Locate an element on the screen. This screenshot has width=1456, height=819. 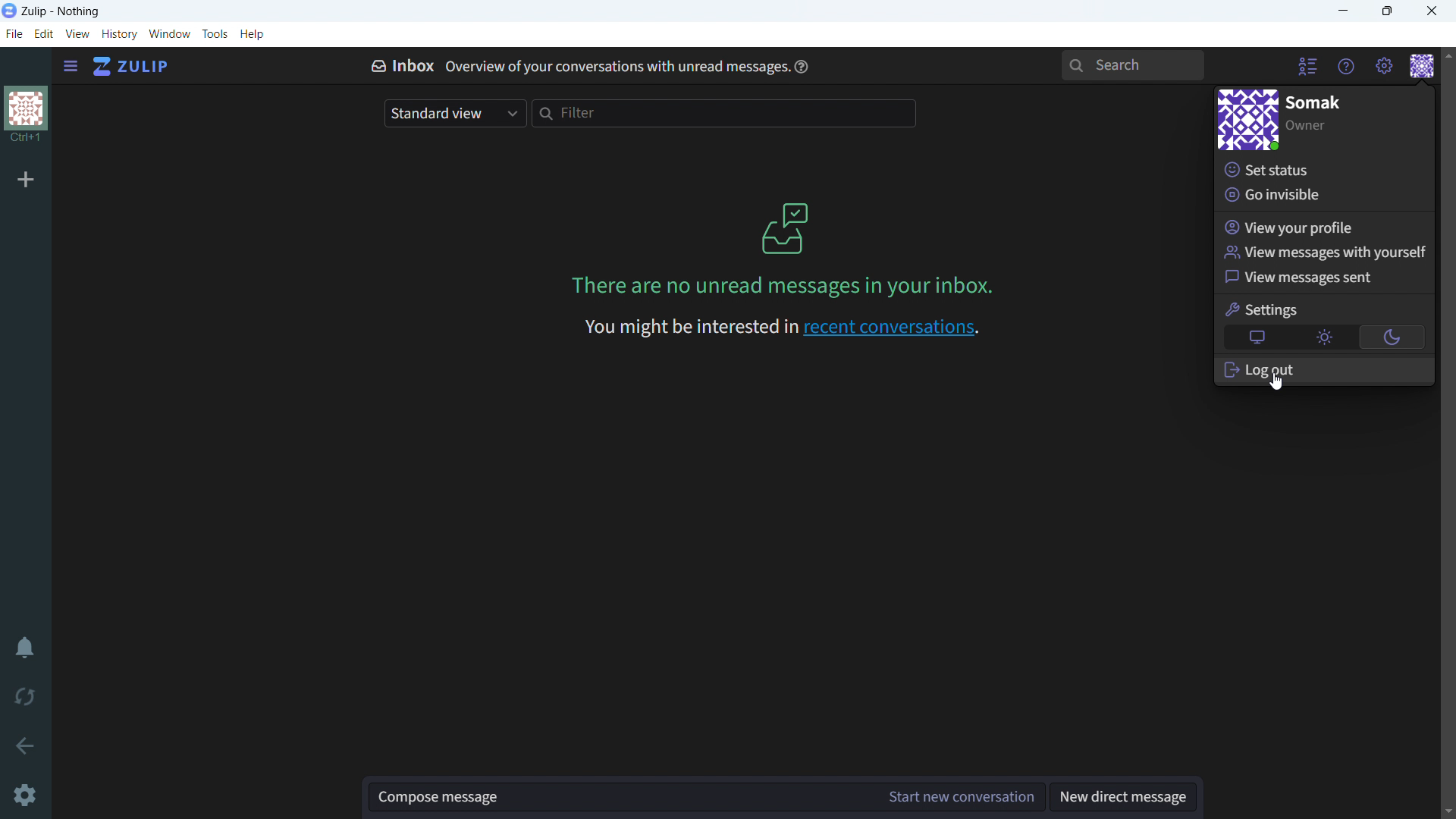
minimize is located at coordinates (1342, 11).